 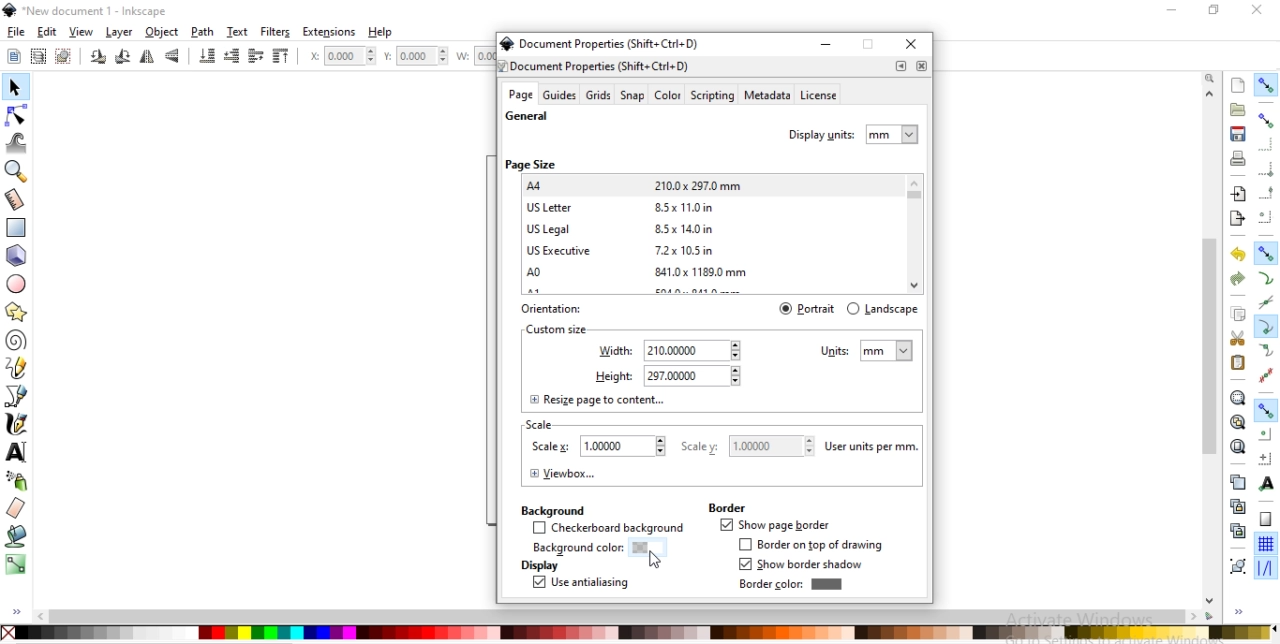 I want to click on metadata, so click(x=766, y=96).